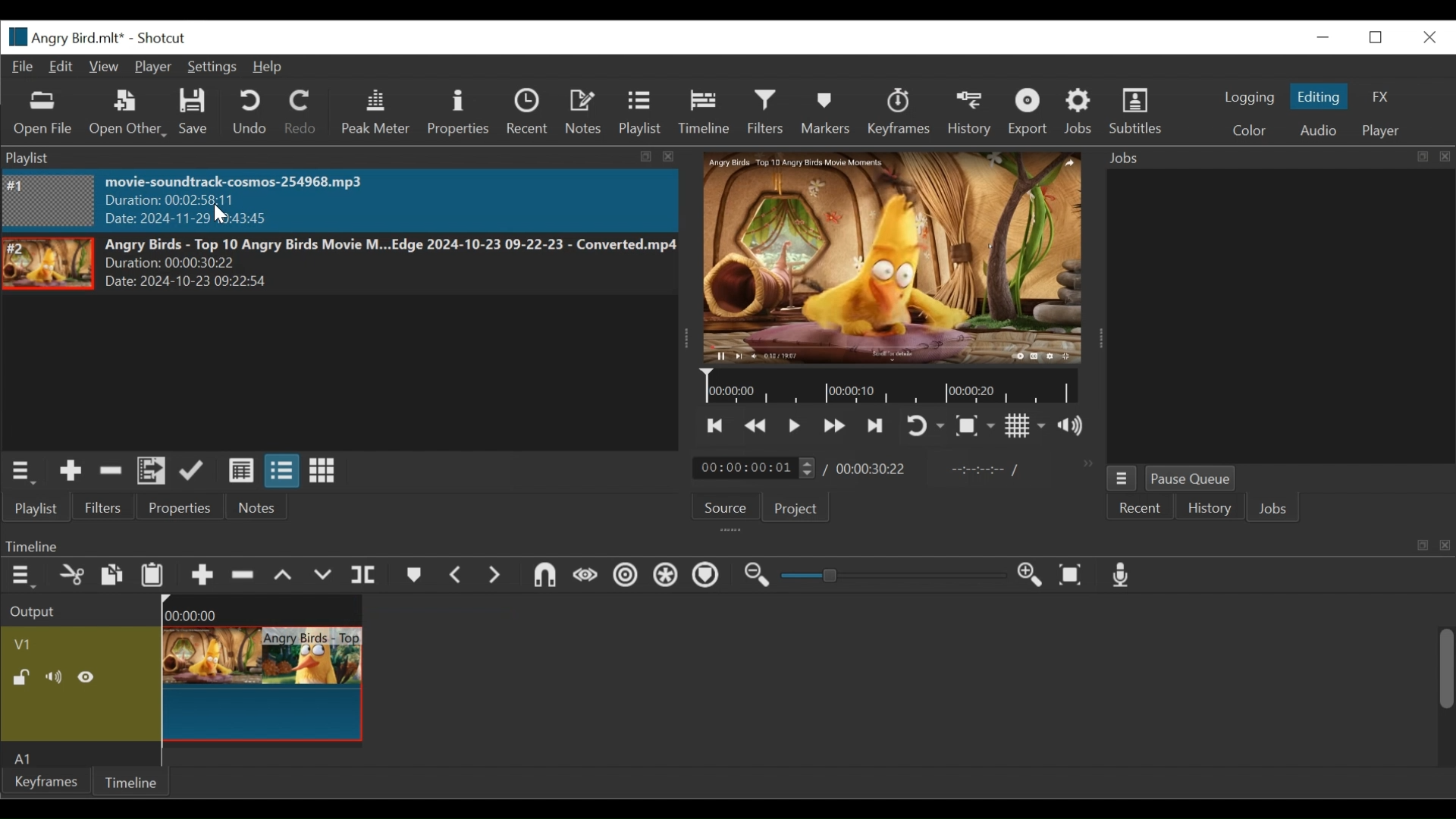  I want to click on Color, so click(1250, 131).